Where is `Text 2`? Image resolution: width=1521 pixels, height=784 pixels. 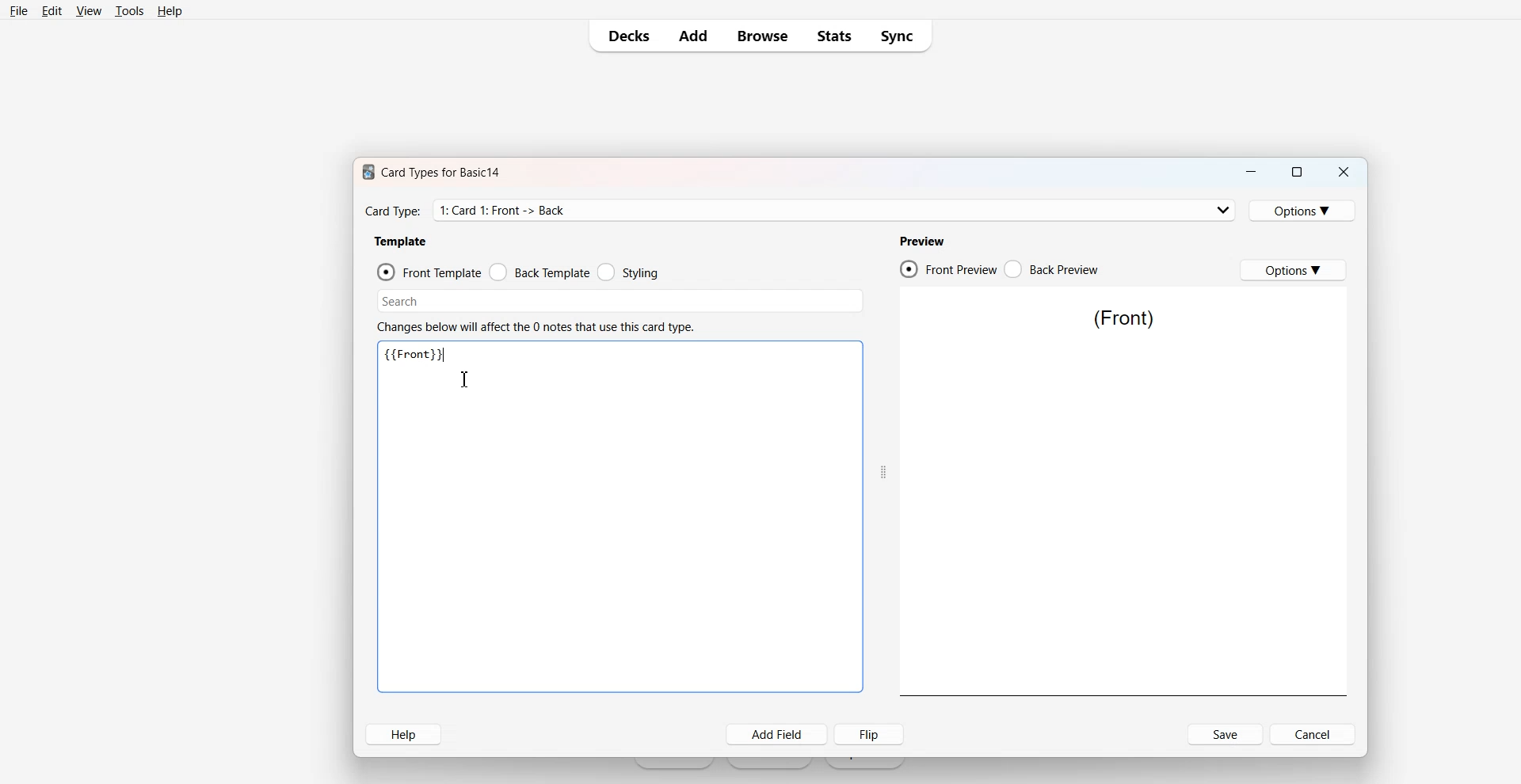 Text 2 is located at coordinates (536, 326).